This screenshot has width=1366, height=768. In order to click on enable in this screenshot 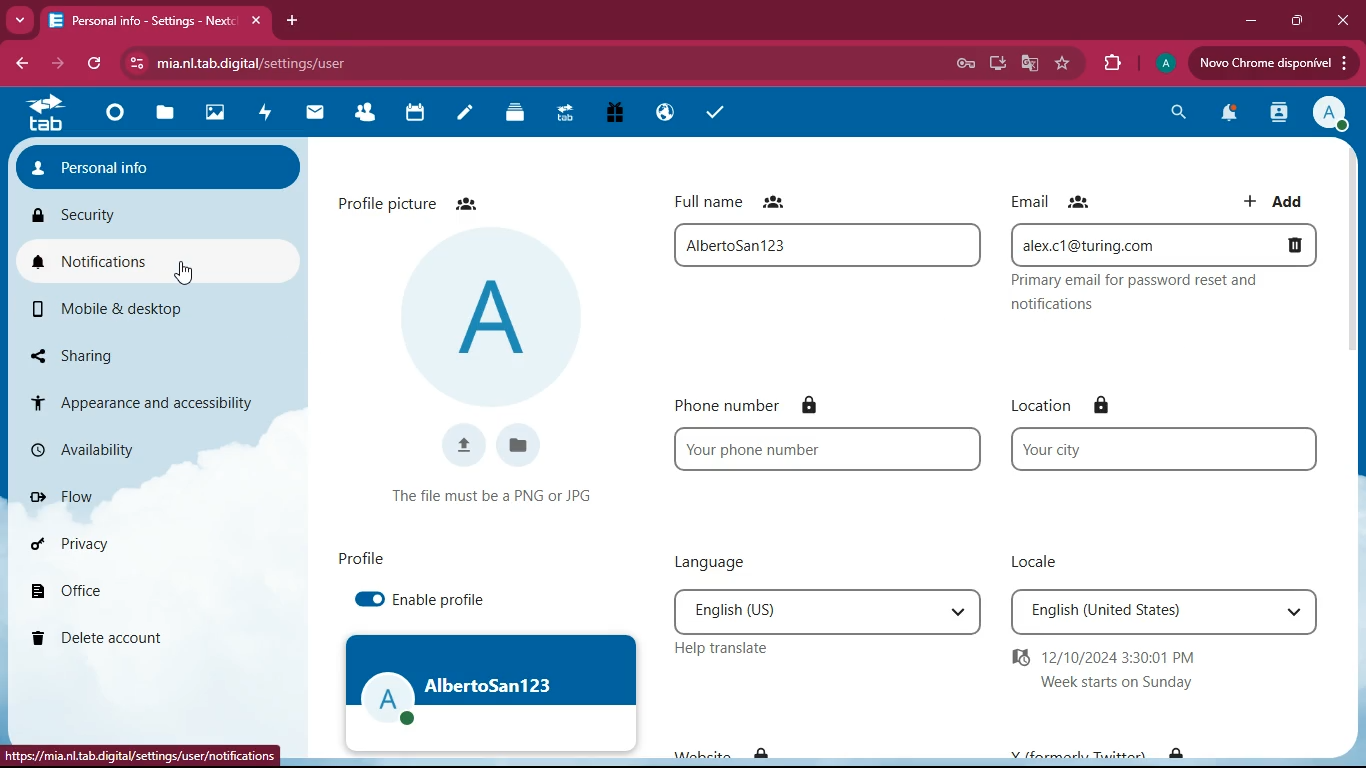, I will do `click(371, 597)`.